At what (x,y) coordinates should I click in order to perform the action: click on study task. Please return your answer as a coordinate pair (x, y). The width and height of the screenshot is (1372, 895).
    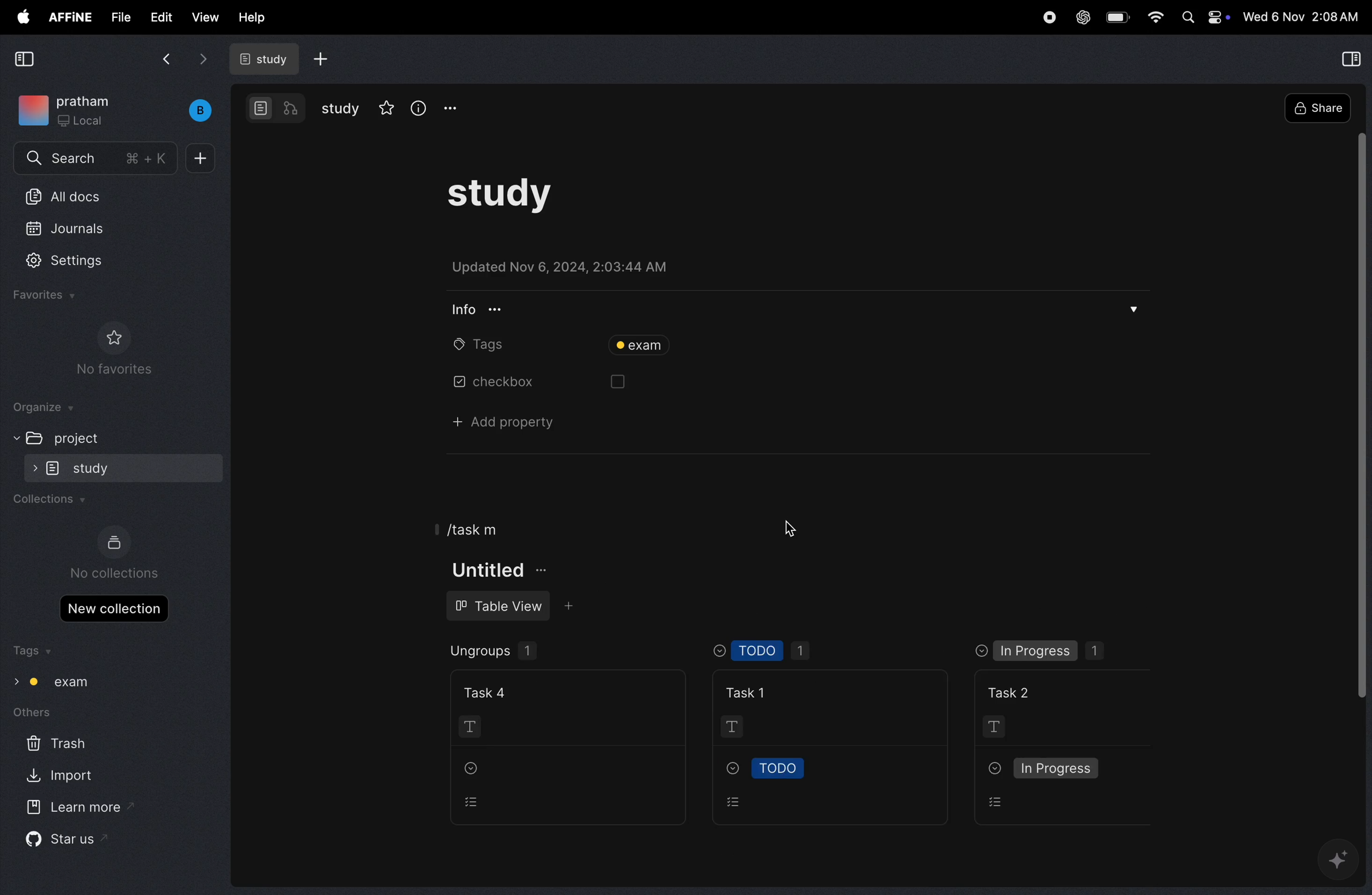
    Looking at the image, I should click on (518, 194).